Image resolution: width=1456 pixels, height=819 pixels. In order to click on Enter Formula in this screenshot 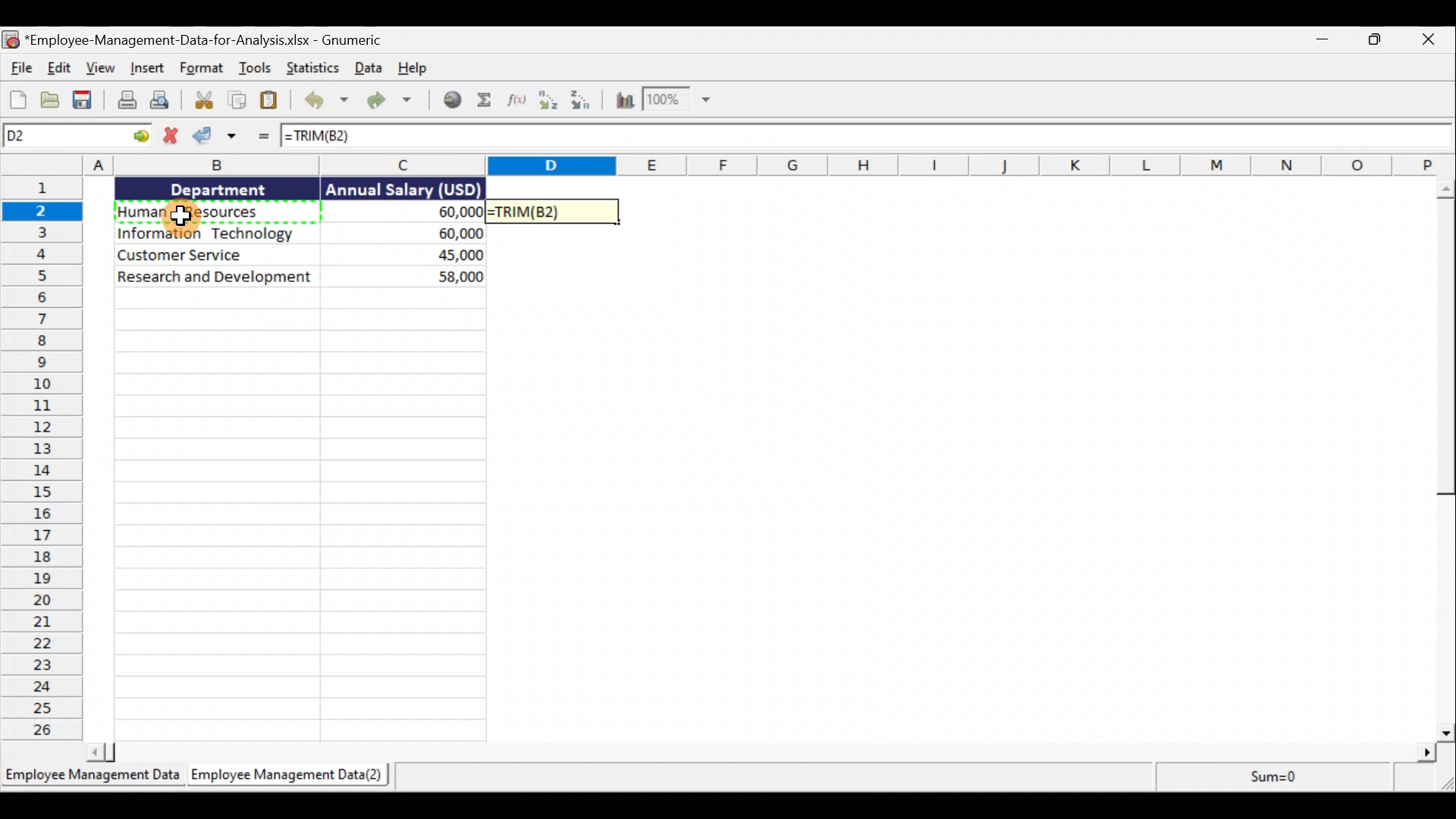, I will do `click(263, 139)`.